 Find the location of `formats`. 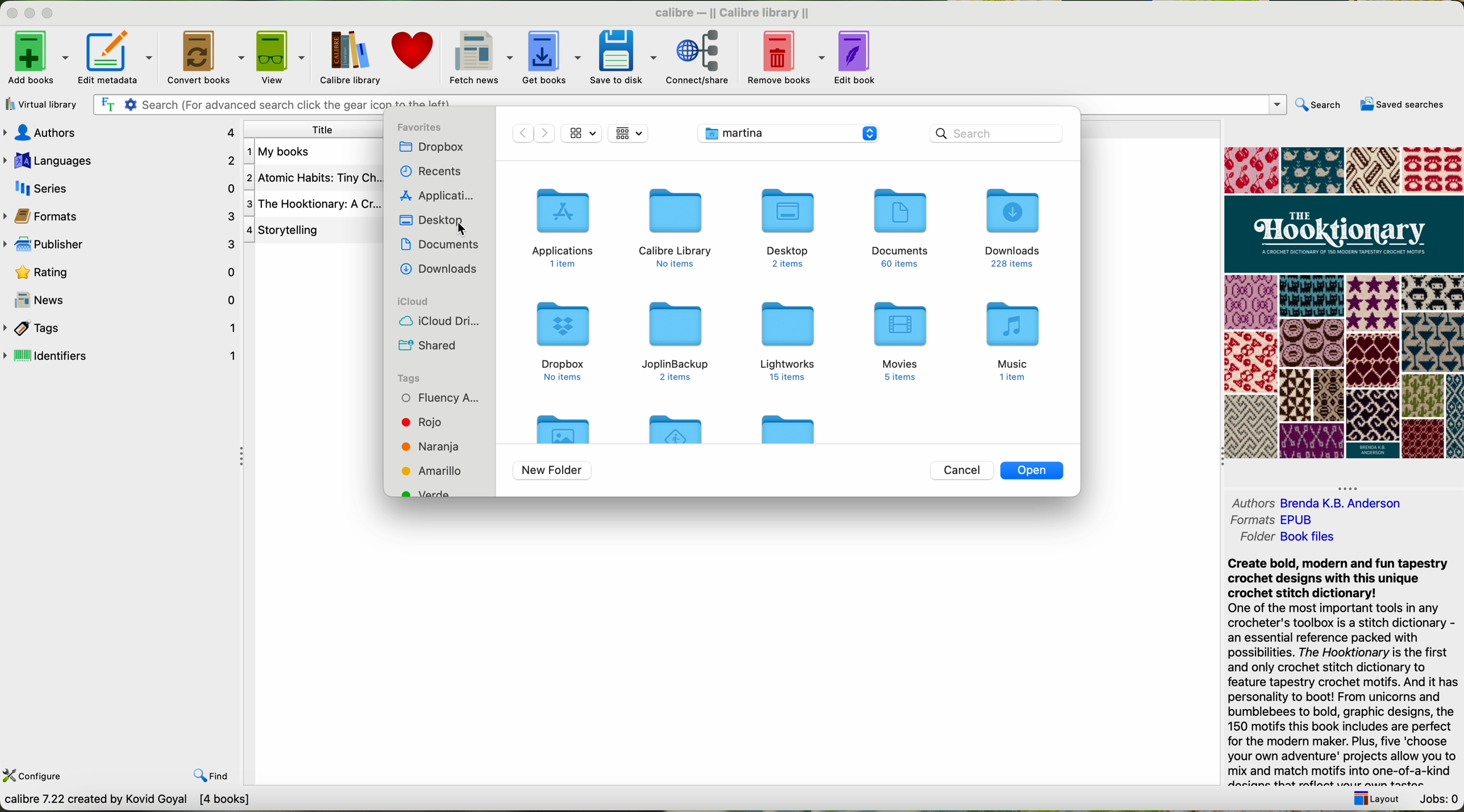

formats is located at coordinates (1250, 520).